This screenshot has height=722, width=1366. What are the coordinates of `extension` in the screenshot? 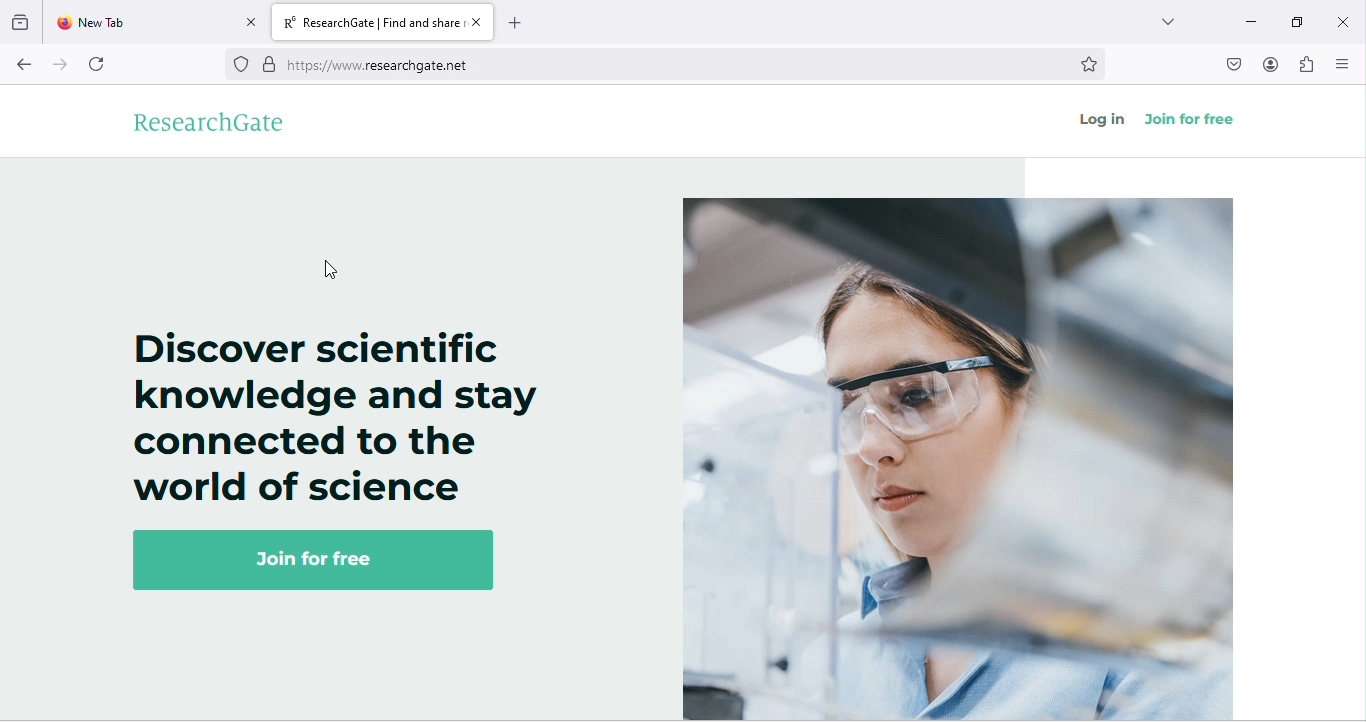 It's located at (1306, 69).